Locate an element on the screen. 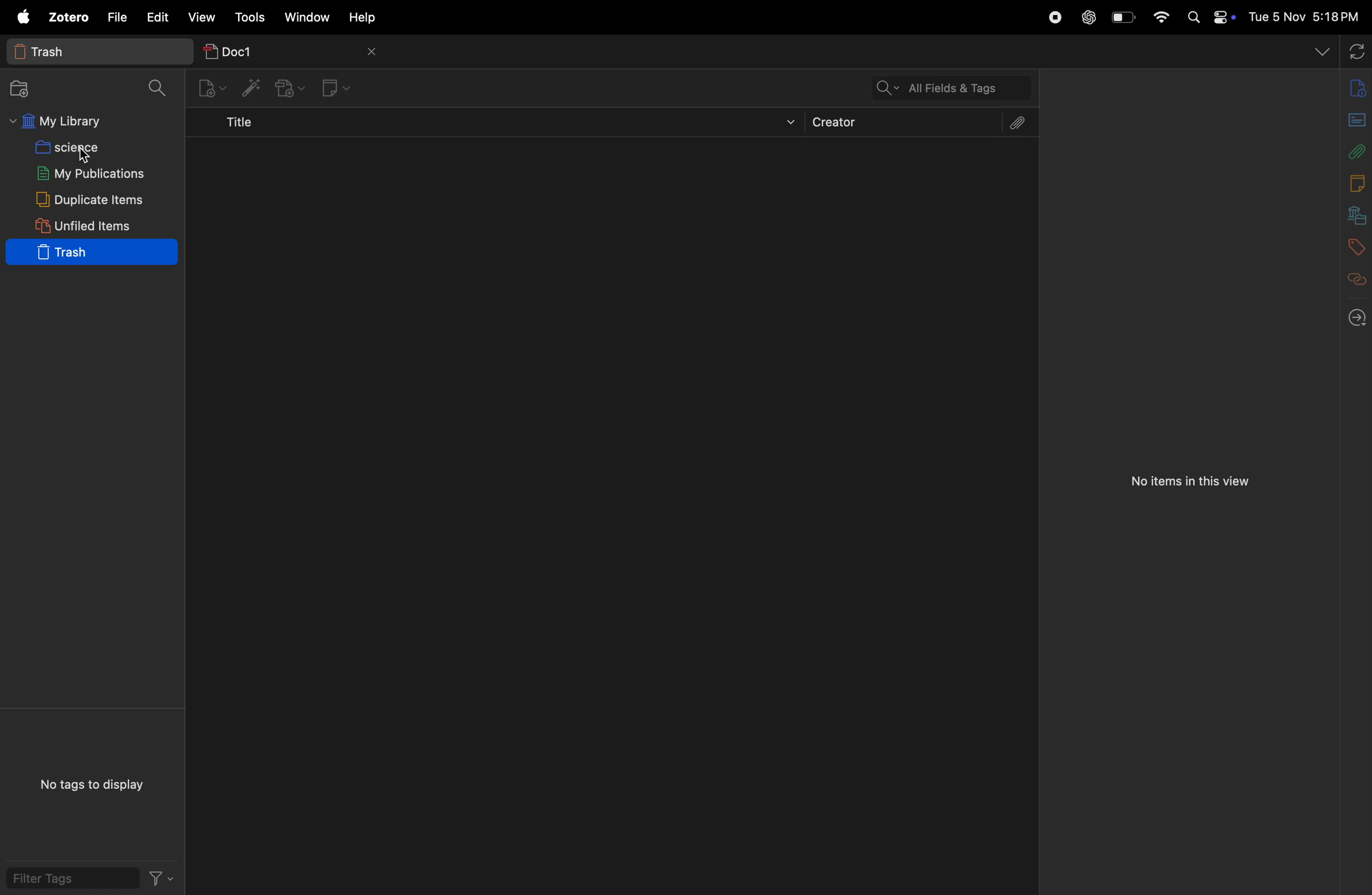 The image size is (1372, 895). my libraray is located at coordinates (1351, 212).